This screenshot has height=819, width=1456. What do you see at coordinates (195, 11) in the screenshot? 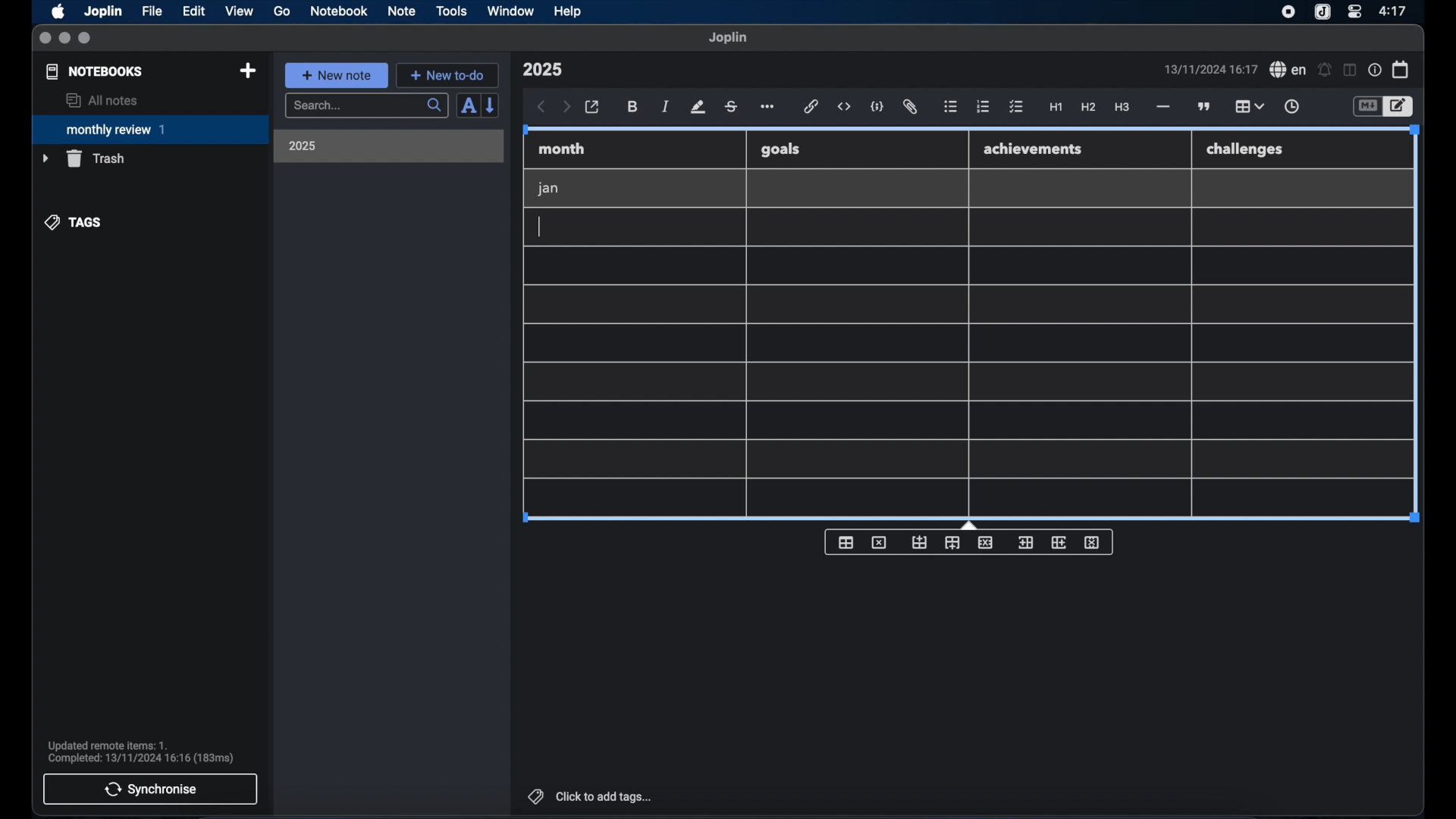
I see `edit` at bounding box center [195, 11].